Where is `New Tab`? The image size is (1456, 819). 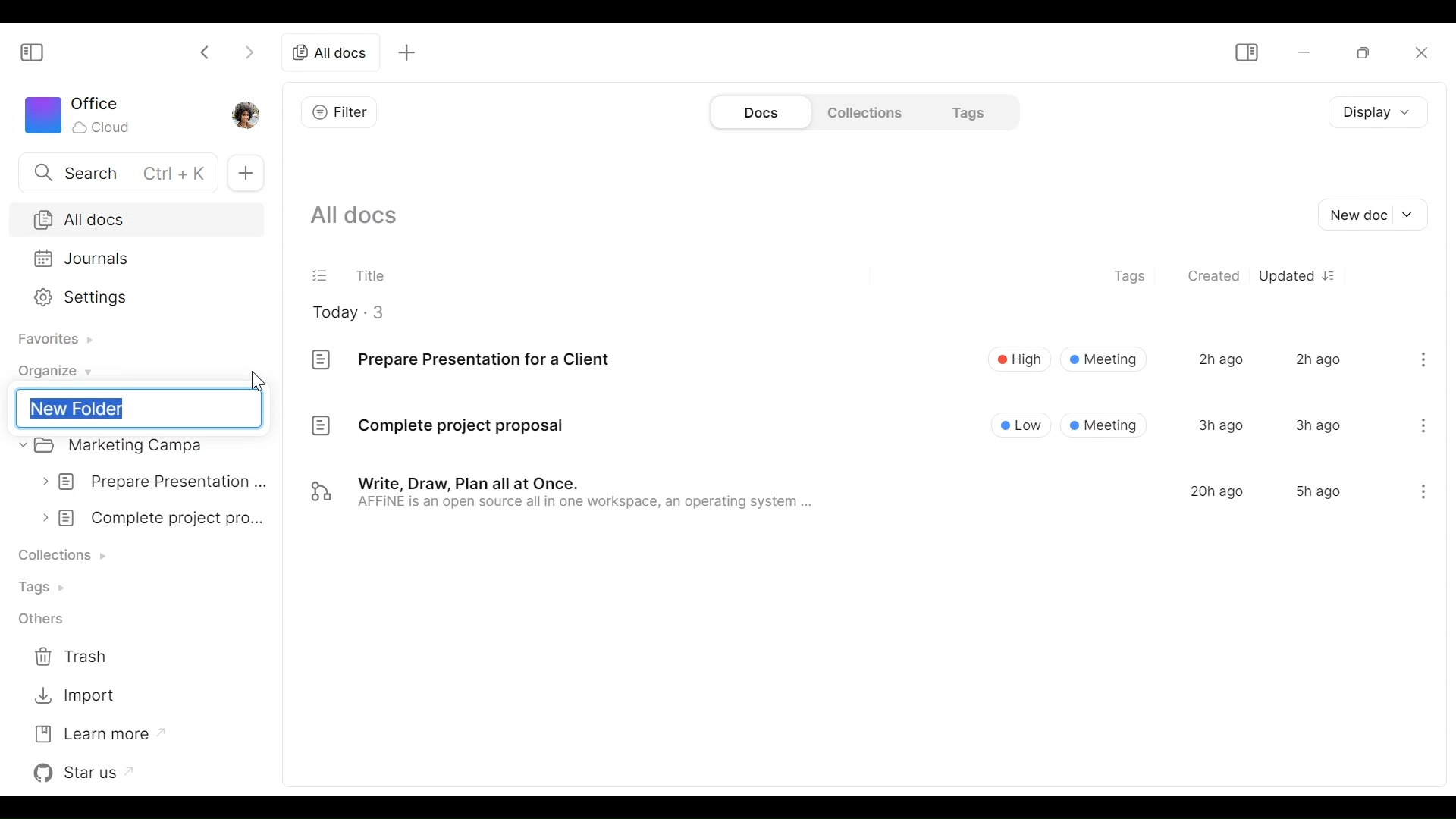 New Tab is located at coordinates (246, 174).